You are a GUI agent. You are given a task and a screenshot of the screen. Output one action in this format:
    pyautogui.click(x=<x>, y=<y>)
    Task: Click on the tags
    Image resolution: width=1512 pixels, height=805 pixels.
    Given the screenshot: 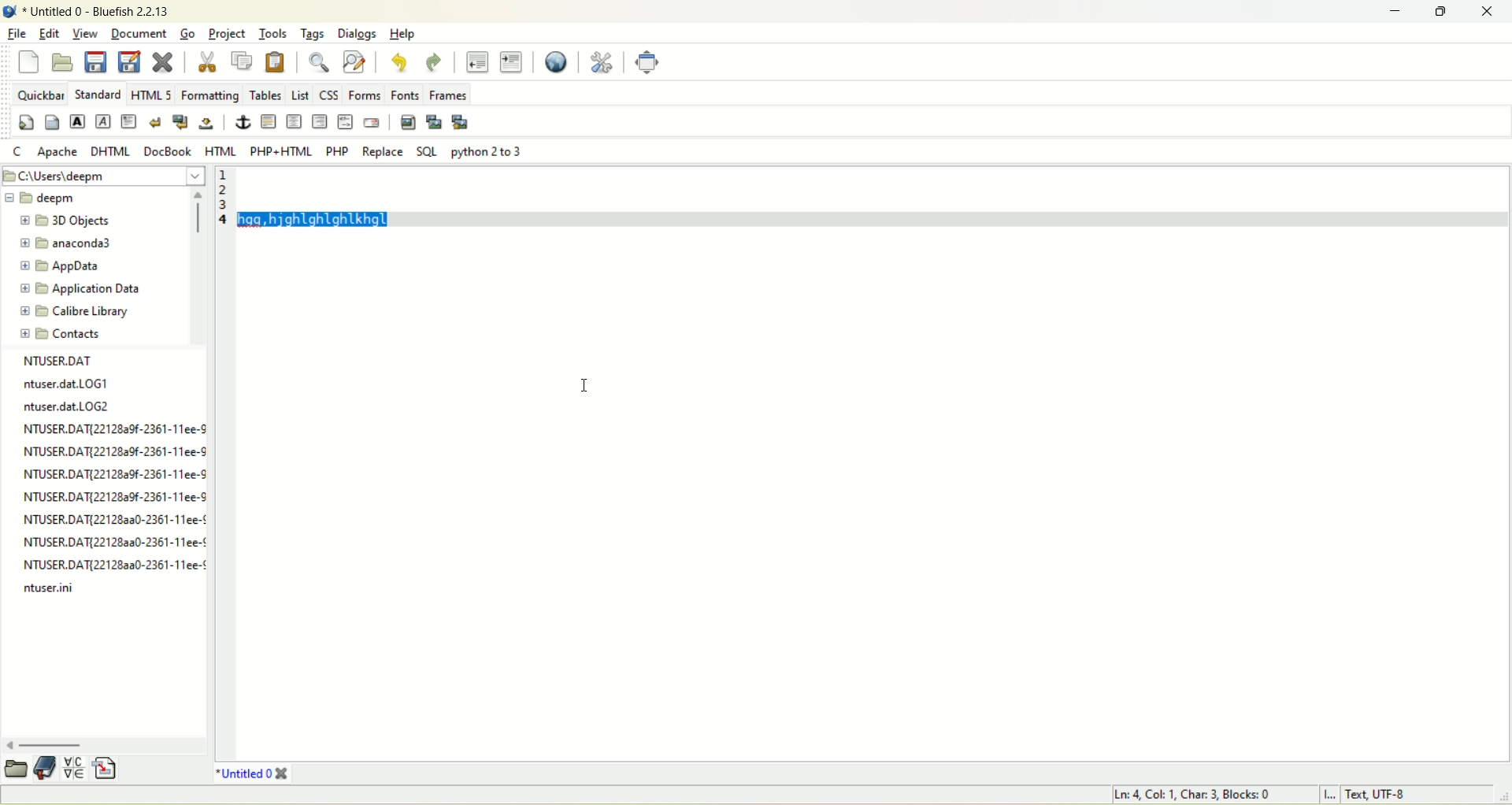 What is the action you would take?
    pyautogui.click(x=316, y=35)
    